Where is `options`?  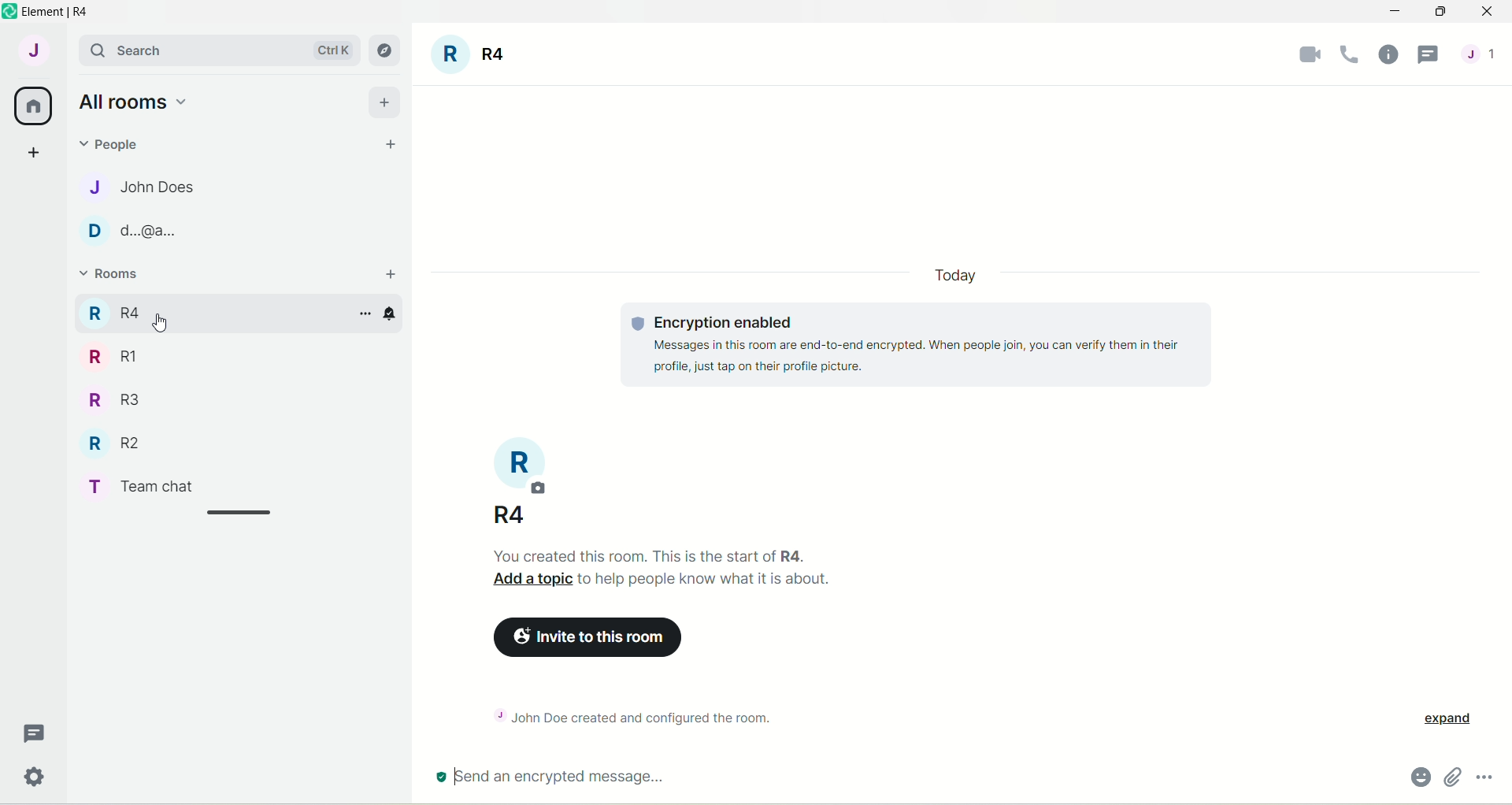
options is located at coordinates (1488, 774).